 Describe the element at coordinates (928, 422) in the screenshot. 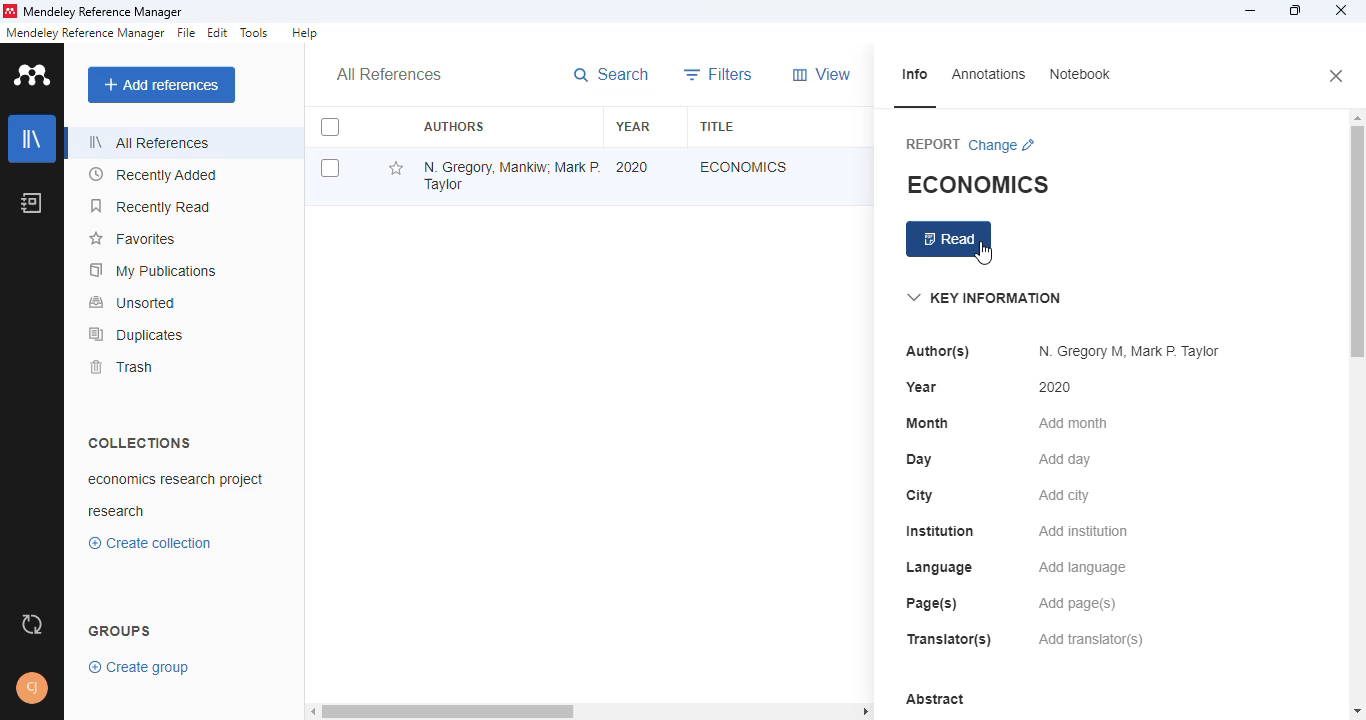

I see `month` at that location.